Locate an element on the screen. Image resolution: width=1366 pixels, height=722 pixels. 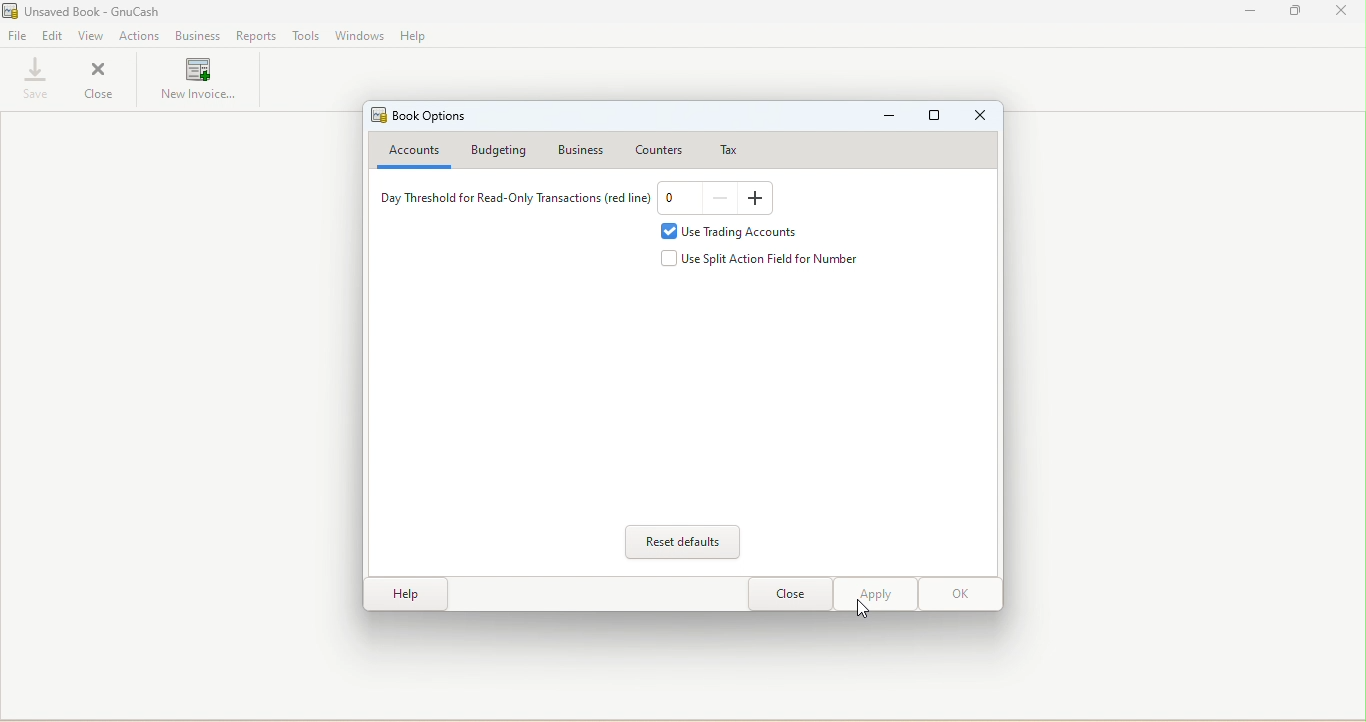
Reset defaults is located at coordinates (686, 542).